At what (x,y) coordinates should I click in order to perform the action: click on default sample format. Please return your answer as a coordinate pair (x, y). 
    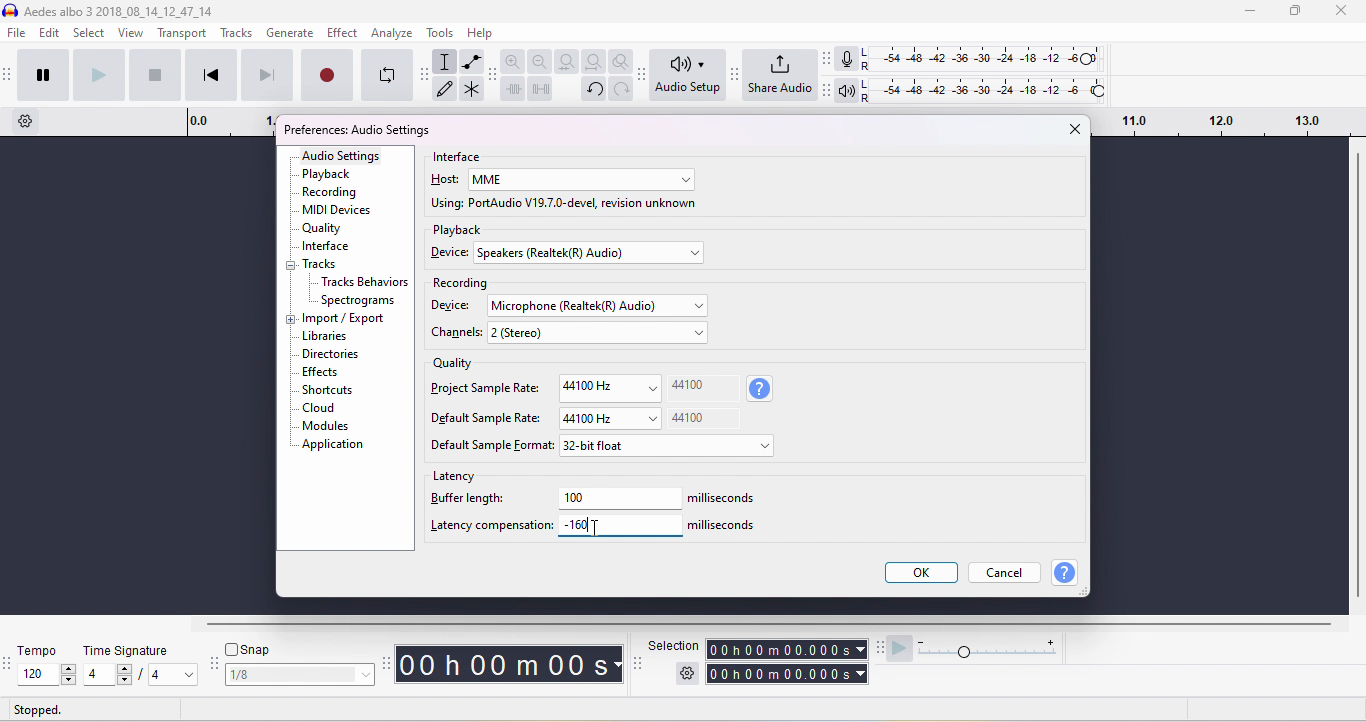
    Looking at the image, I should click on (492, 446).